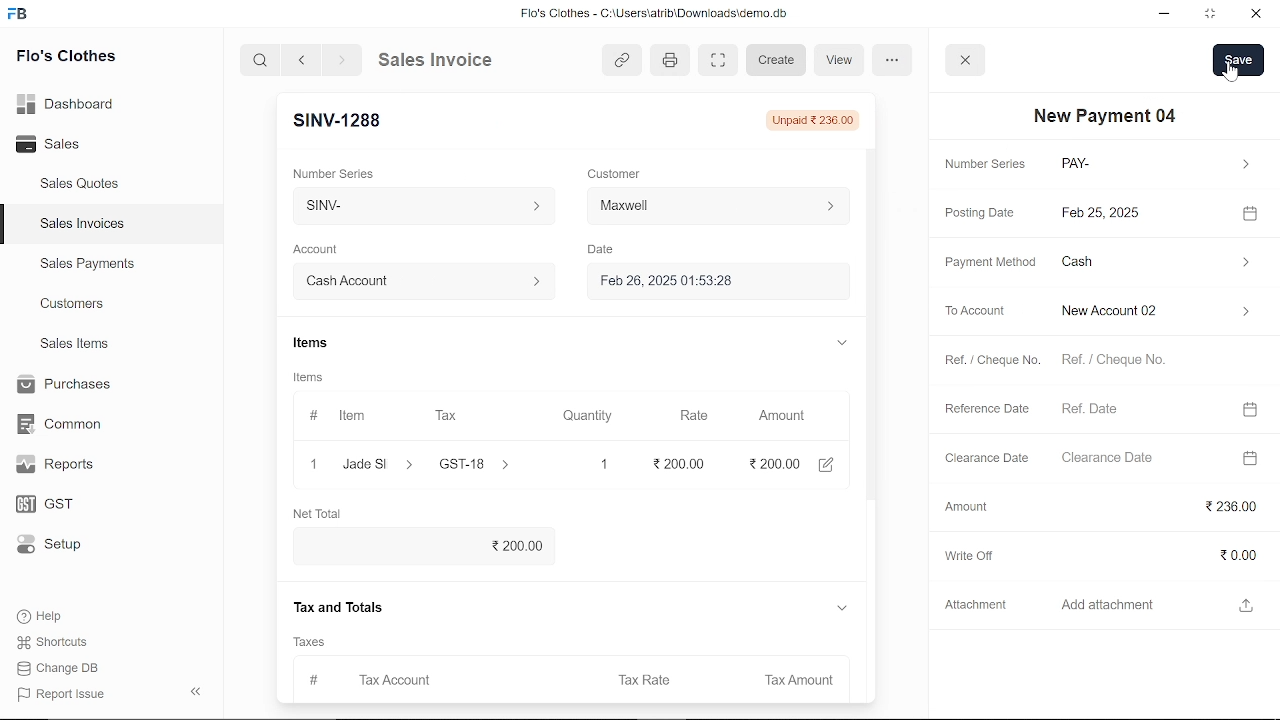  Describe the element at coordinates (841, 59) in the screenshot. I see `View` at that location.